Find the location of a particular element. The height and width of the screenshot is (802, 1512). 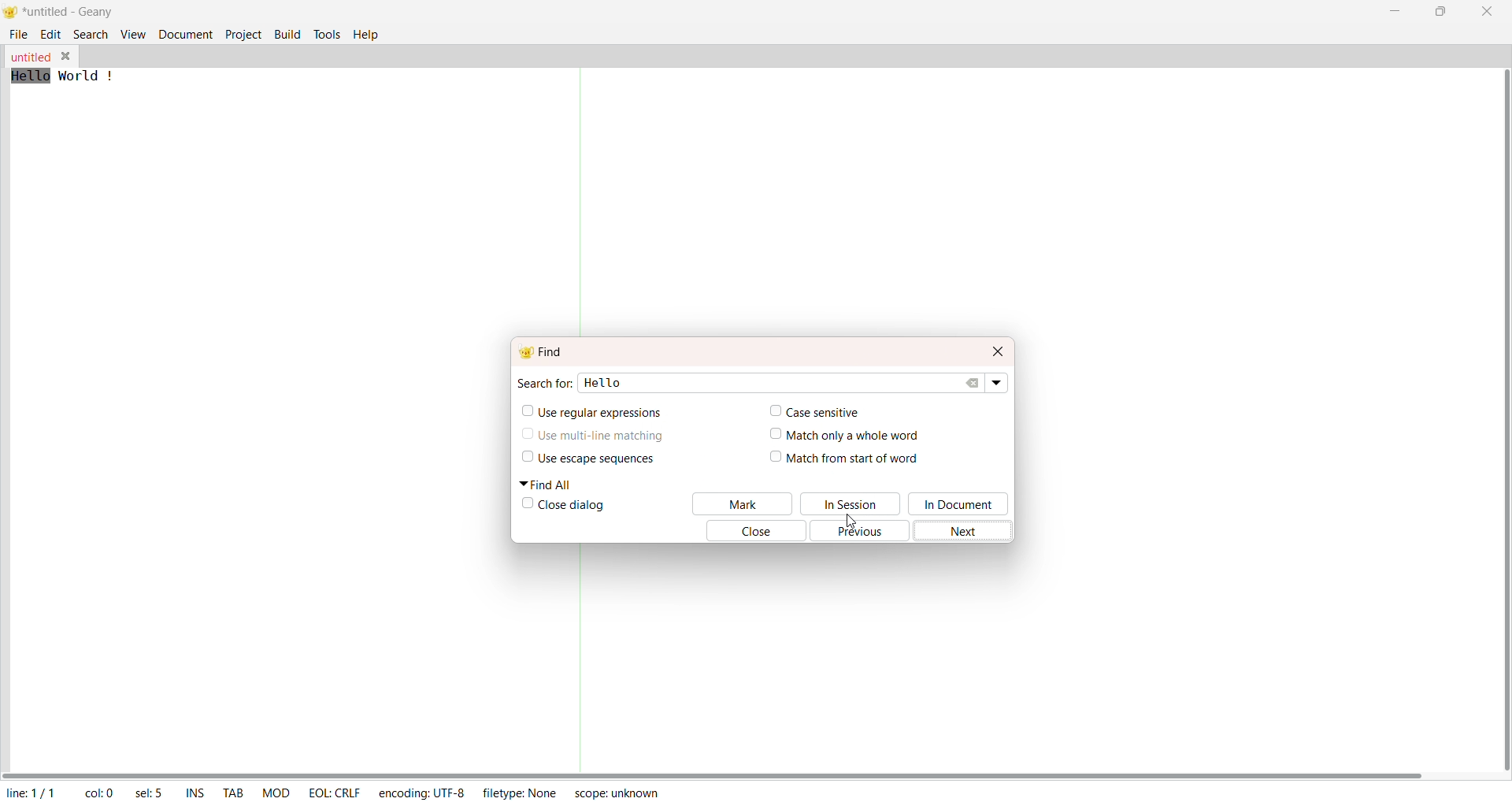

match only a whole world is located at coordinates (862, 435).